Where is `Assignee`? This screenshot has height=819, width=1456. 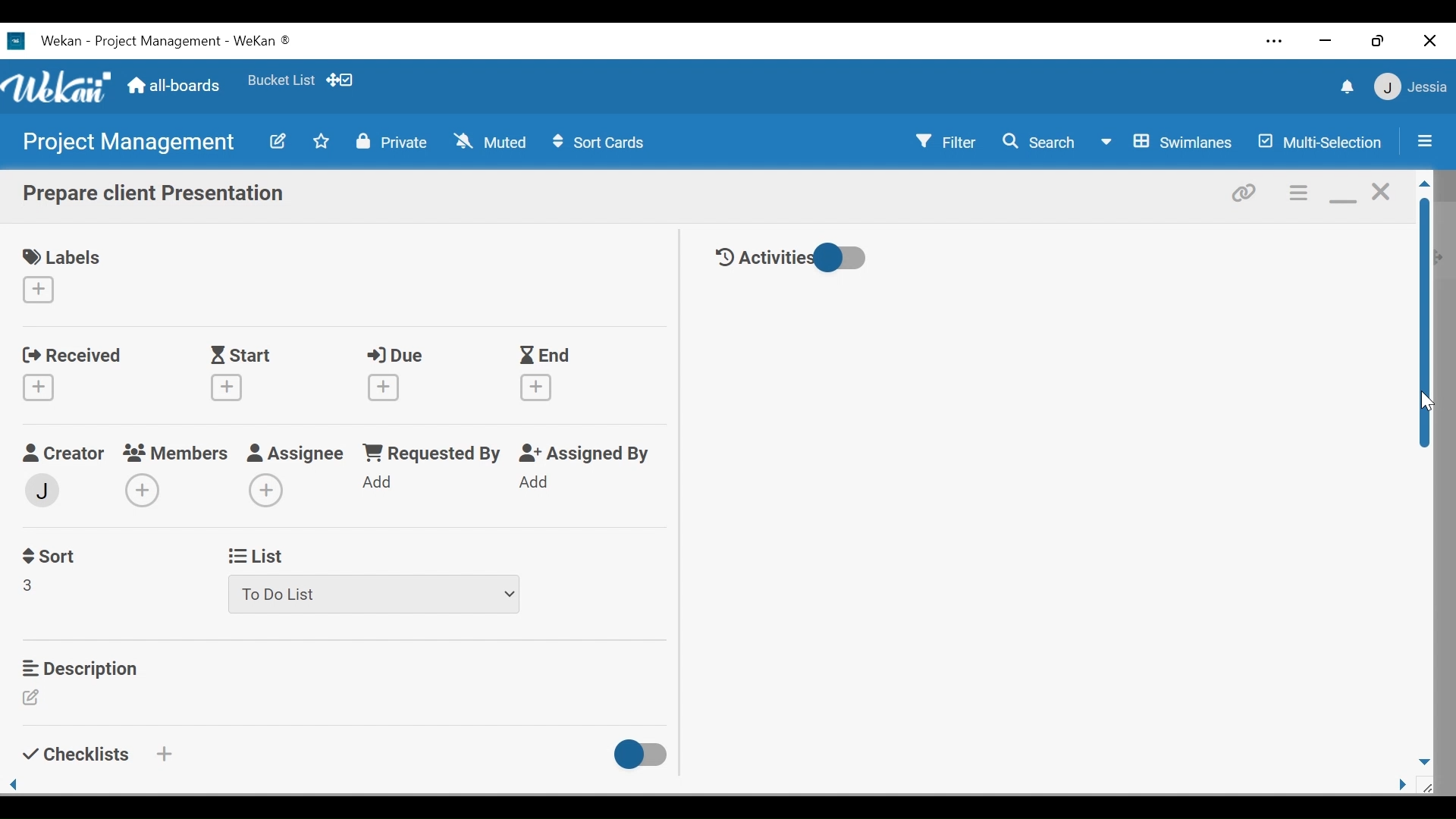 Assignee is located at coordinates (294, 453).